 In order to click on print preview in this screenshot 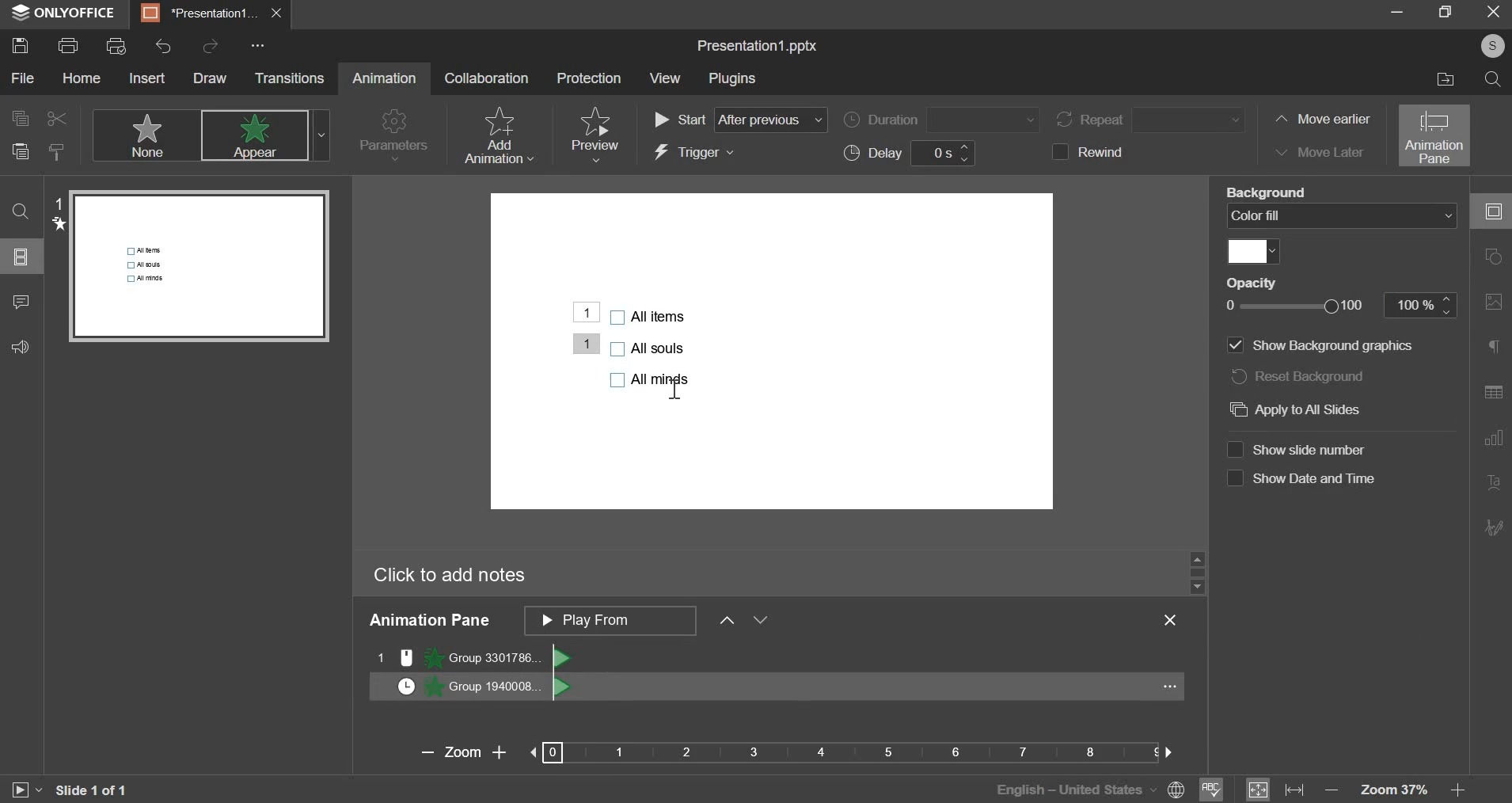, I will do `click(115, 46)`.